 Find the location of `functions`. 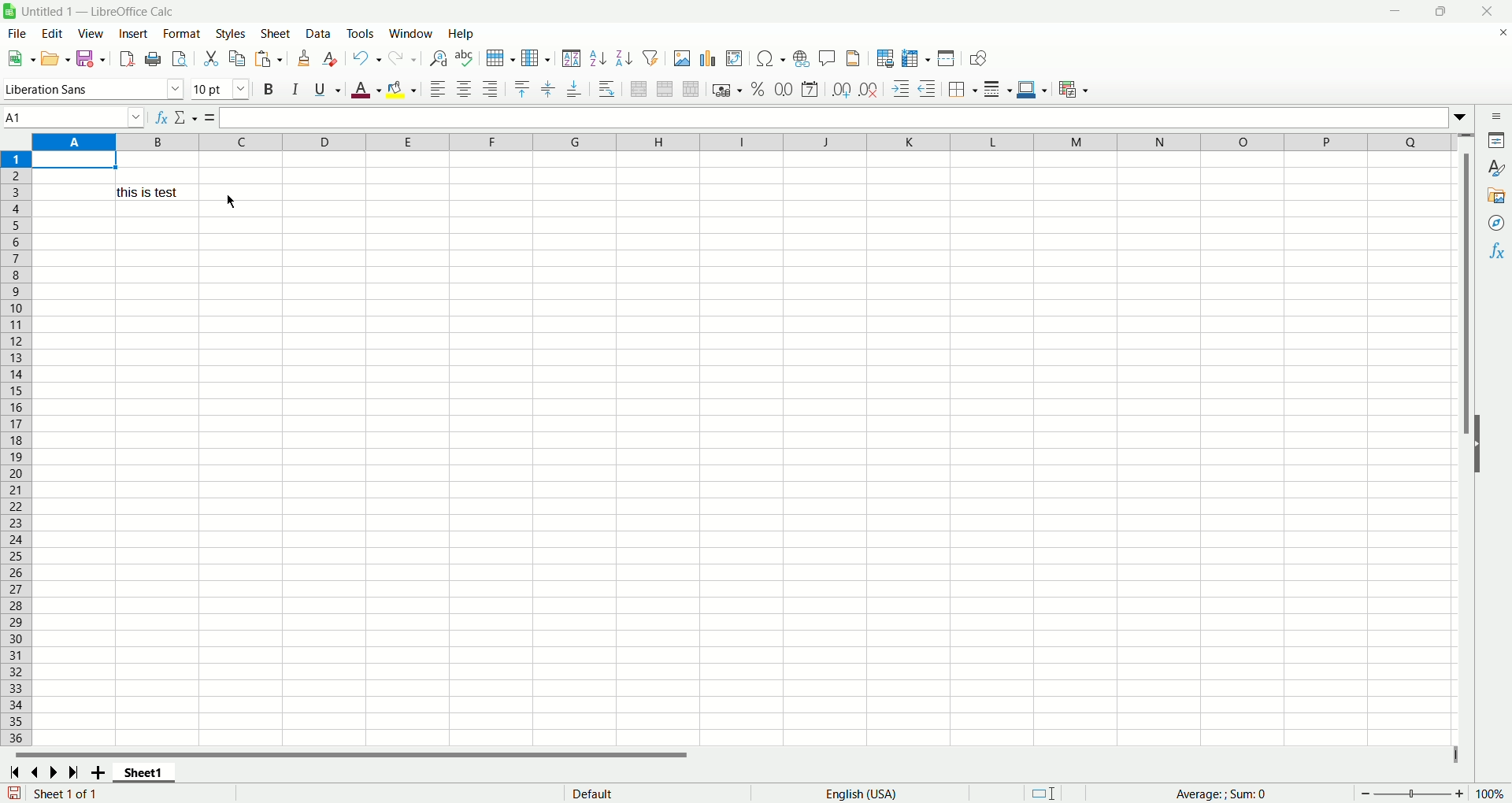

functions is located at coordinates (1214, 792).